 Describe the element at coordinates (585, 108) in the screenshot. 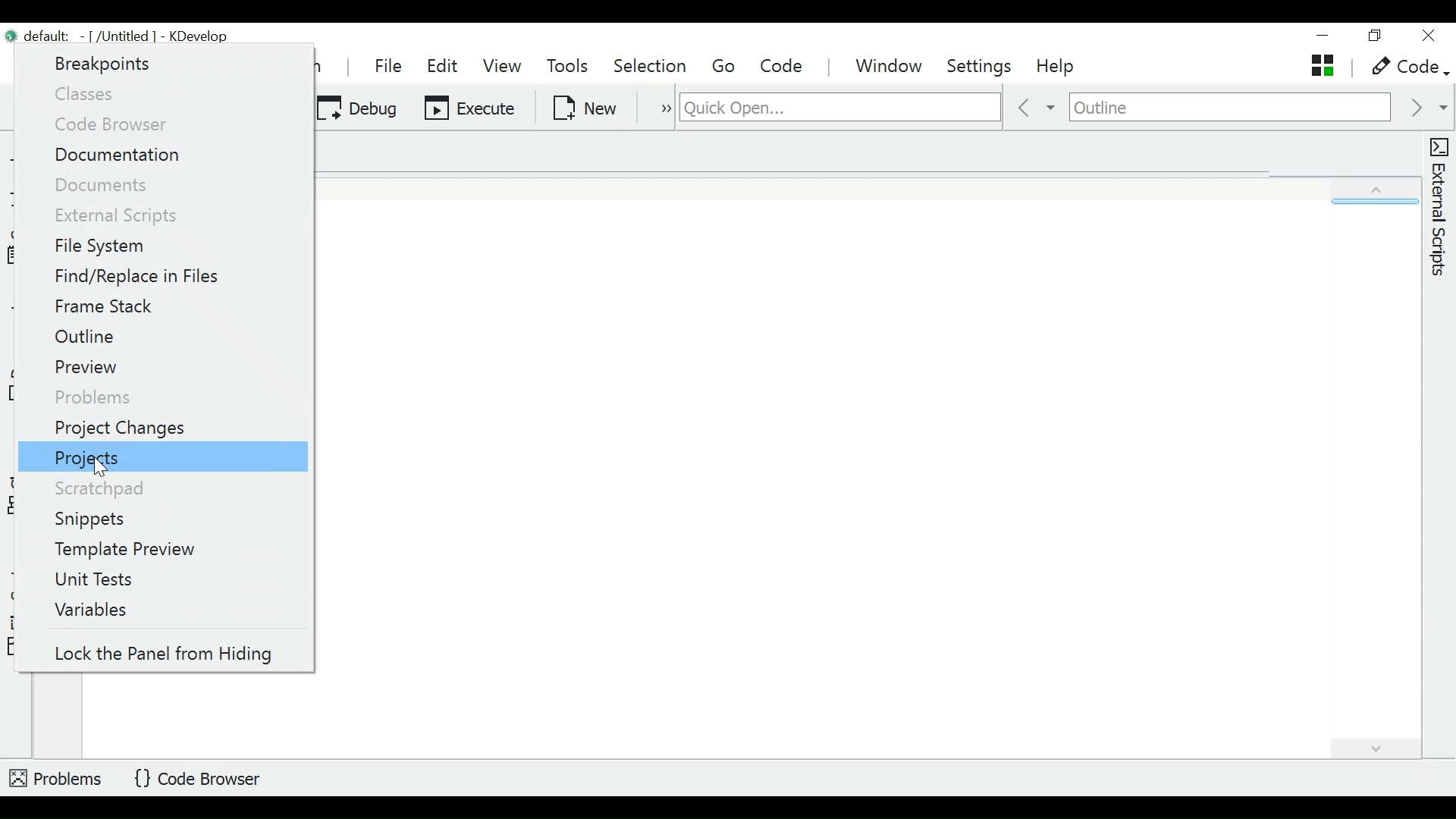

I see `New` at that location.